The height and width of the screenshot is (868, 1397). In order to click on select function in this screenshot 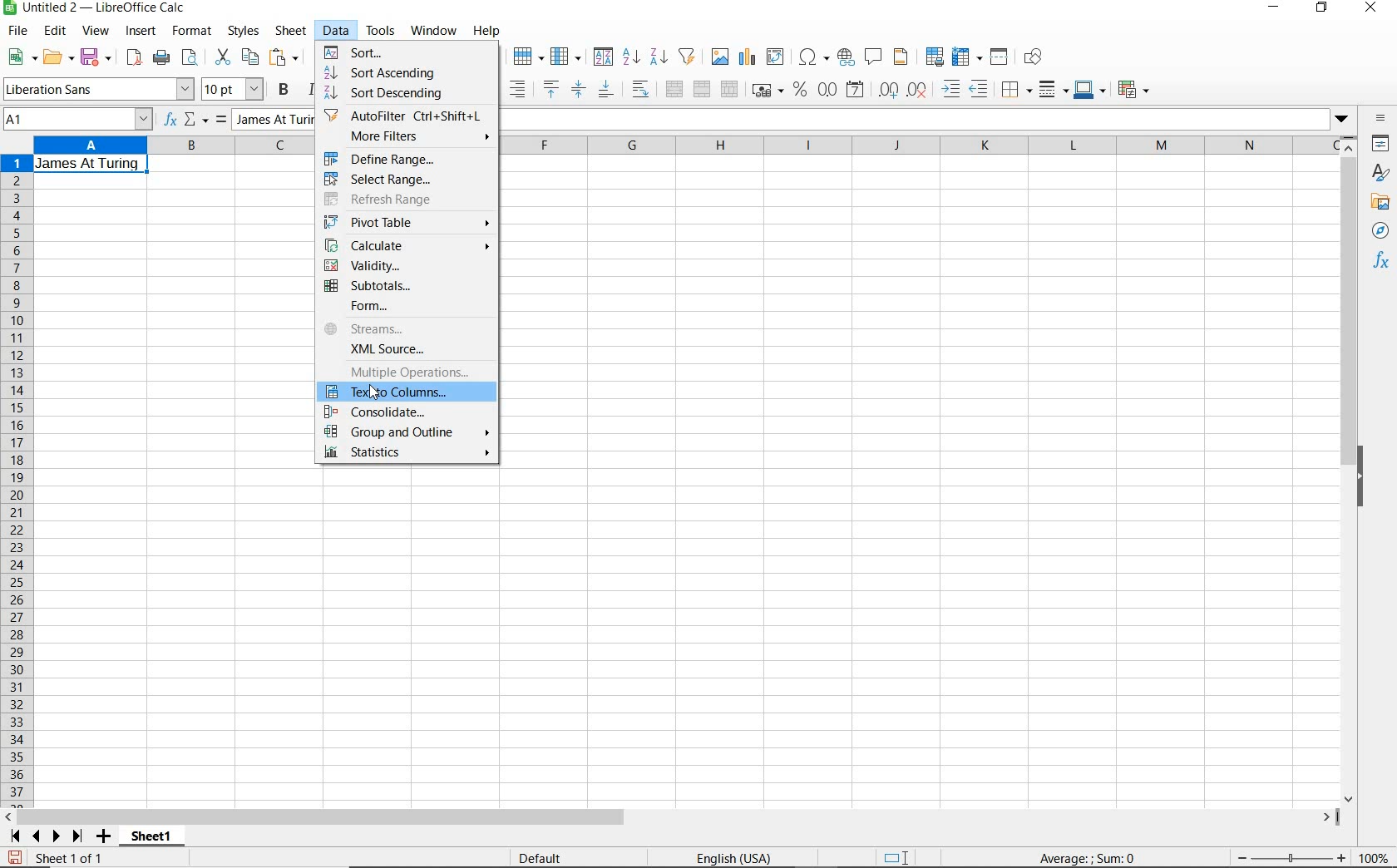, I will do `click(197, 121)`.